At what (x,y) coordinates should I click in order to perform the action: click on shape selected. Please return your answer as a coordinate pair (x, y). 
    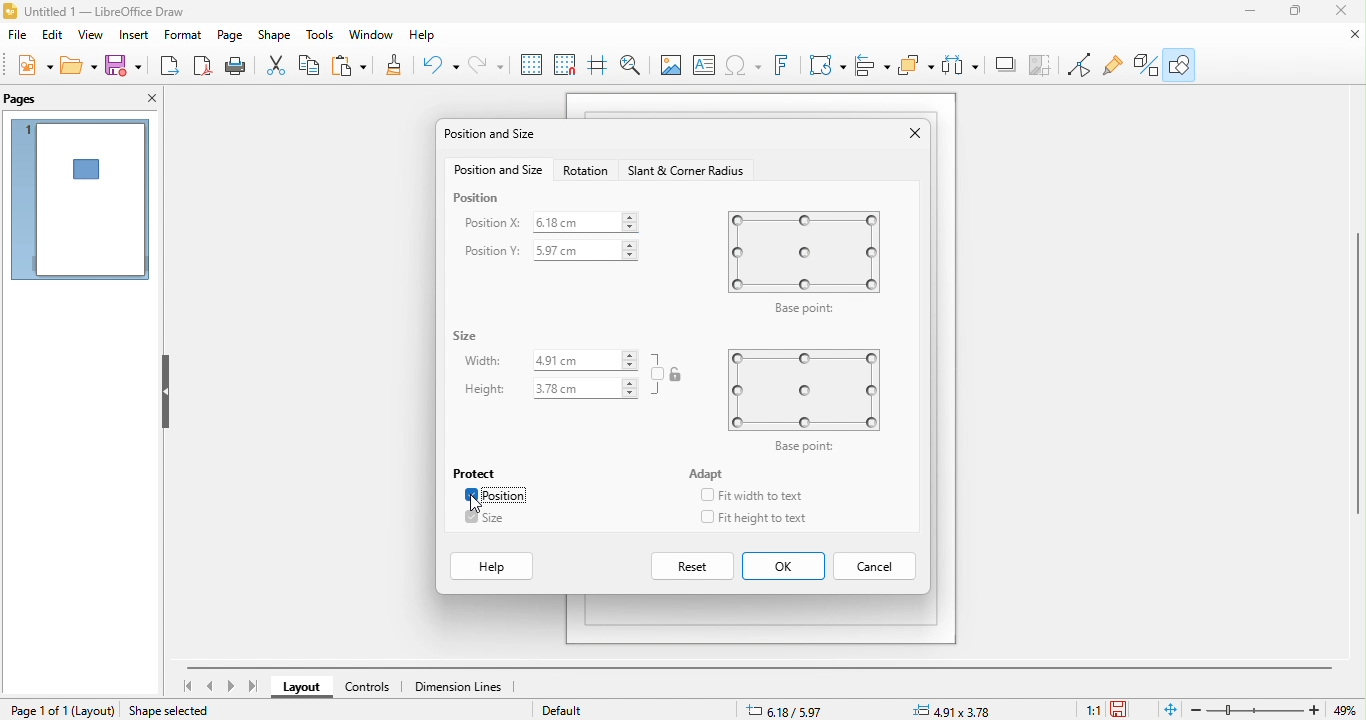
    Looking at the image, I should click on (176, 709).